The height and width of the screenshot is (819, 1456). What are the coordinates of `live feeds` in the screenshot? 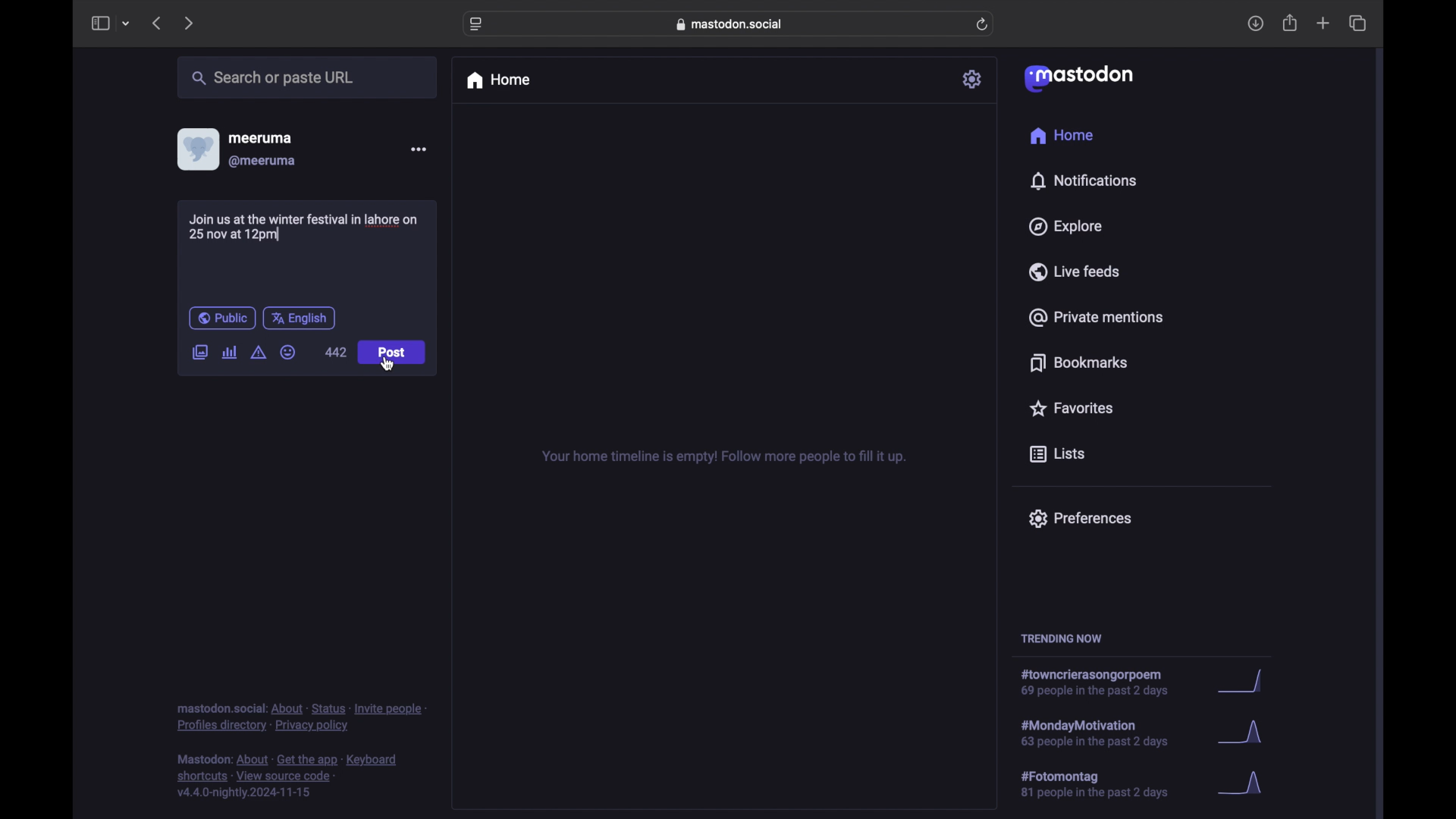 It's located at (1075, 271).